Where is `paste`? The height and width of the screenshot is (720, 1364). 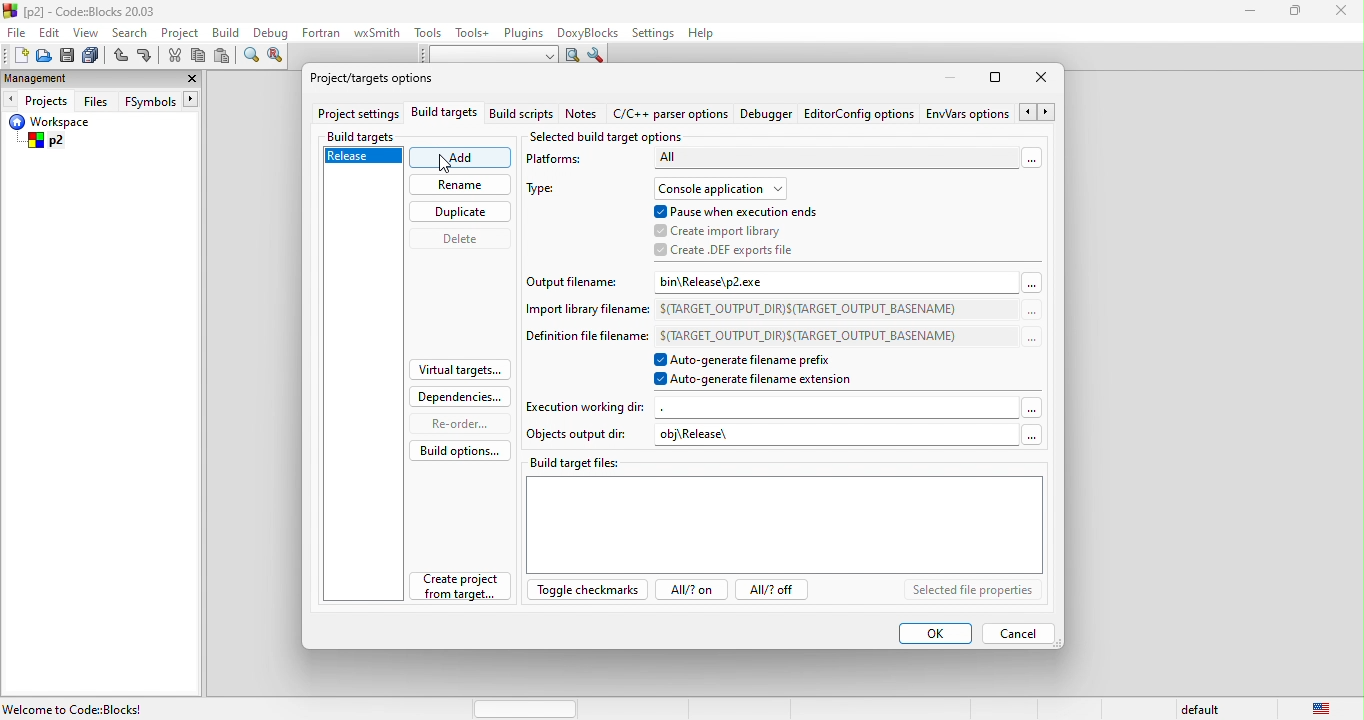
paste is located at coordinates (225, 56).